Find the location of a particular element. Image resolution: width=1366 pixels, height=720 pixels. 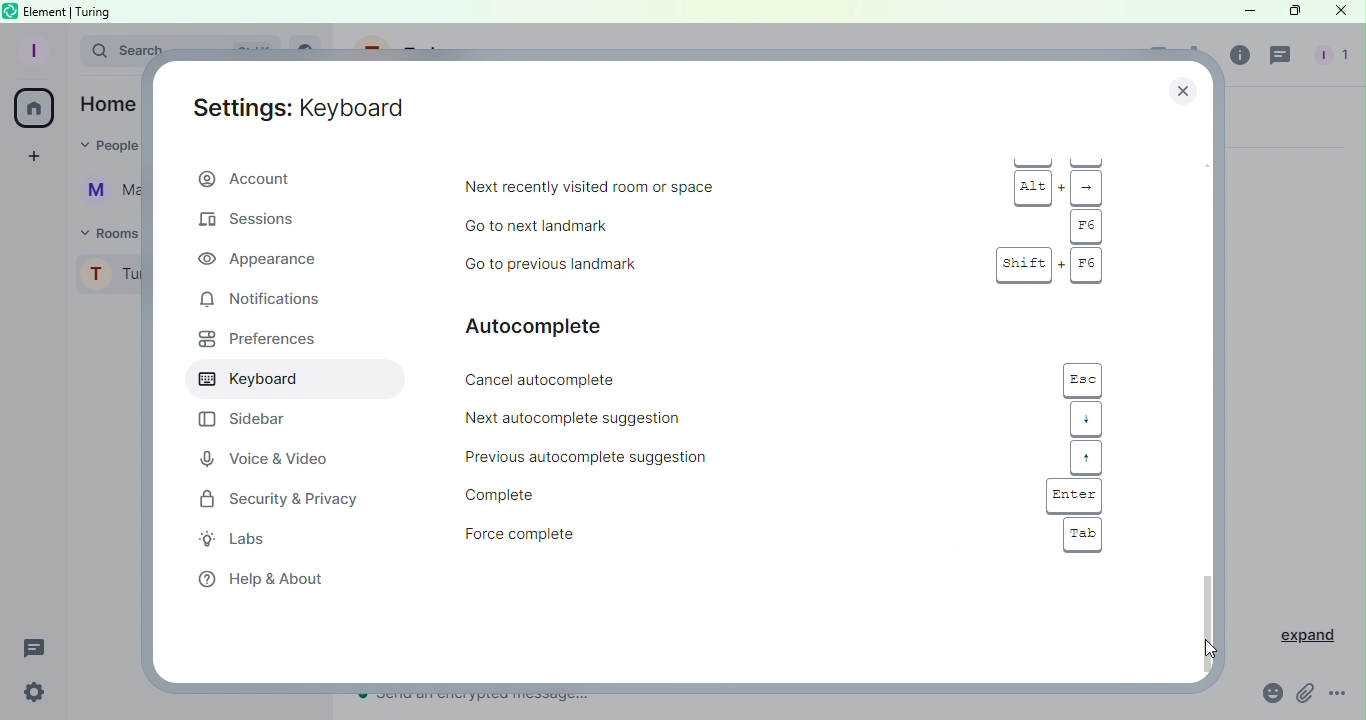

enter is located at coordinates (1075, 496).